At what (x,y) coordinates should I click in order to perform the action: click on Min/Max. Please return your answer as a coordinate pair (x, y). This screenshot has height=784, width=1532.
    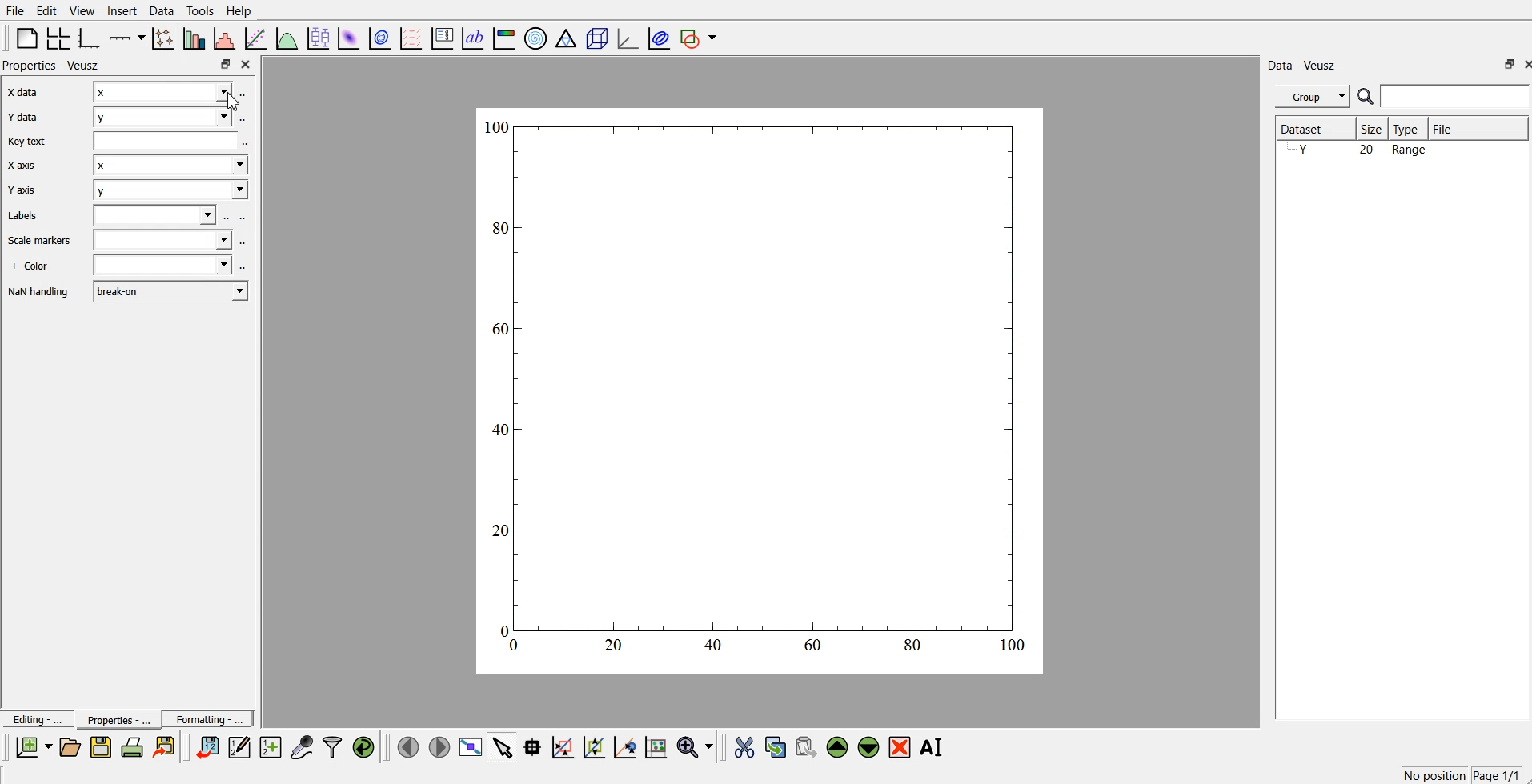
    Looking at the image, I should click on (1502, 64).